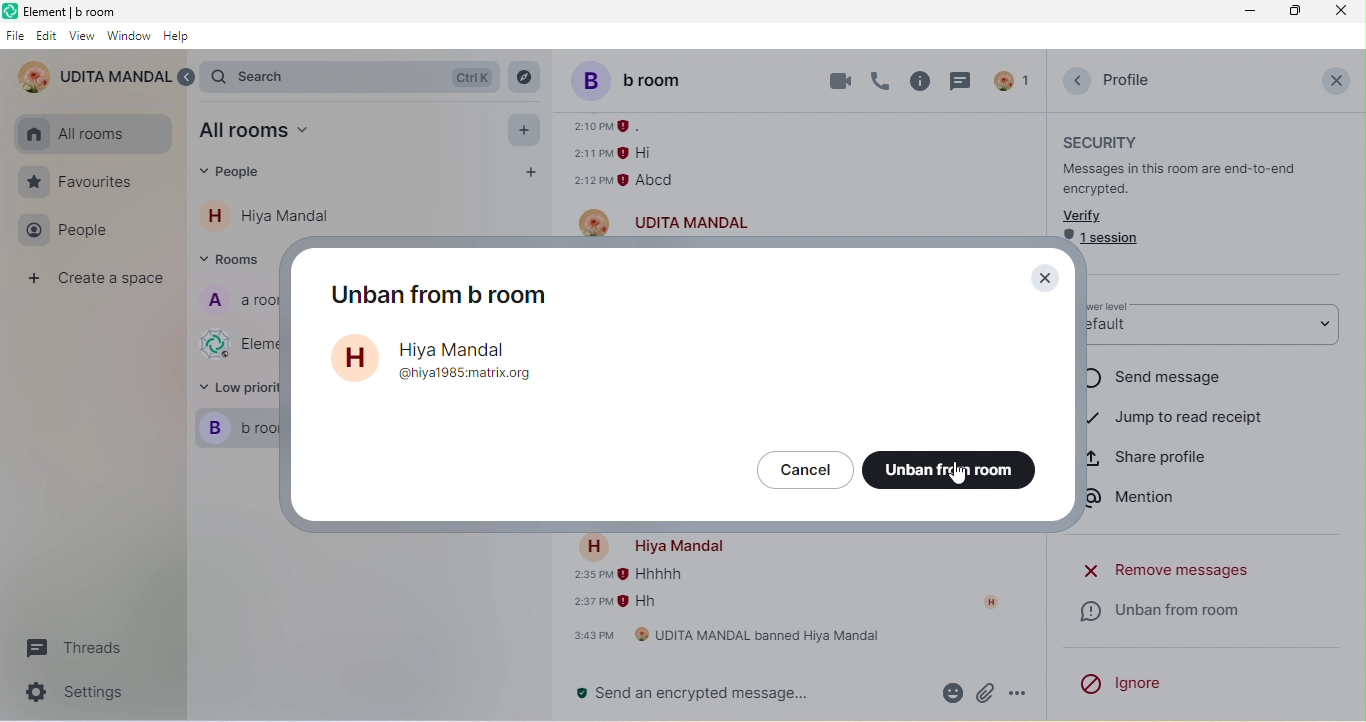 The width and height of the screenshot is (1366, 722). What do you see at coordinates (525, 78) in the screenshot?
I see `explore` at bounding box center [525, 78].